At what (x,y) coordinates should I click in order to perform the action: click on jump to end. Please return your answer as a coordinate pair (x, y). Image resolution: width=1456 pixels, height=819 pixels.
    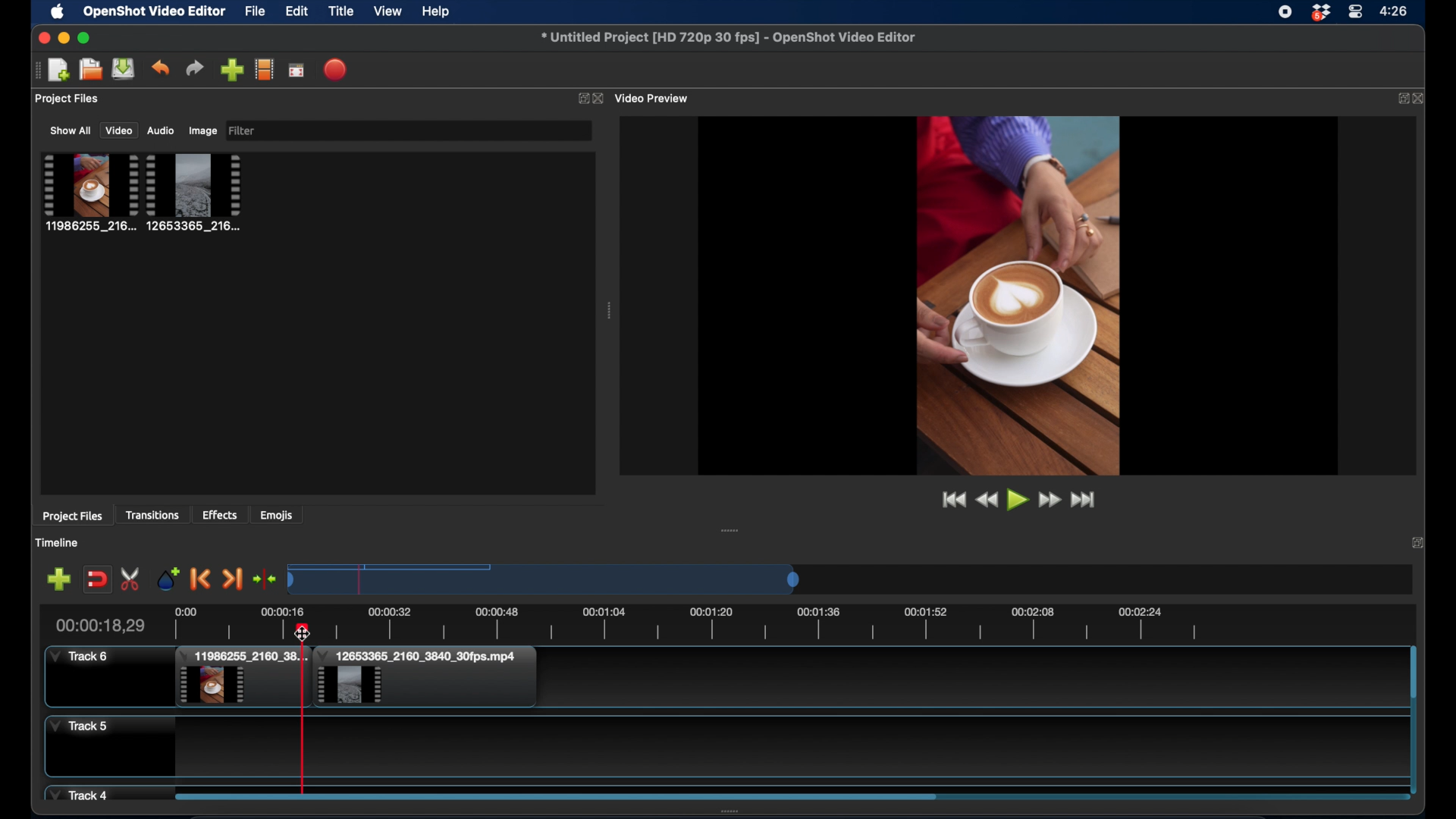
    Looking at the image, I should click on (1086, 500).